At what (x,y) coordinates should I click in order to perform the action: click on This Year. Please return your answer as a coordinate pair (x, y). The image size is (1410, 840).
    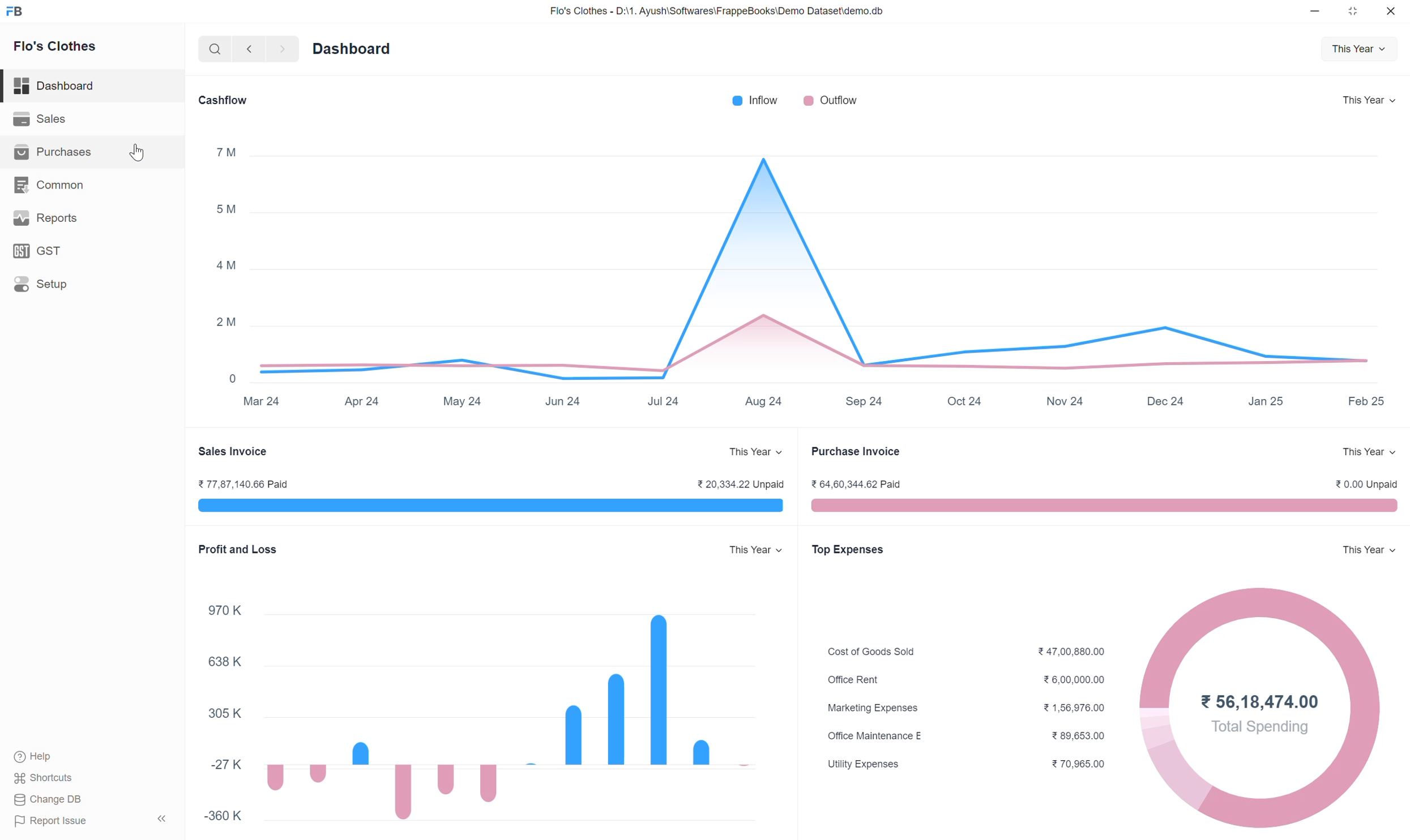
    Looking at the image, I should click on (755, 452).